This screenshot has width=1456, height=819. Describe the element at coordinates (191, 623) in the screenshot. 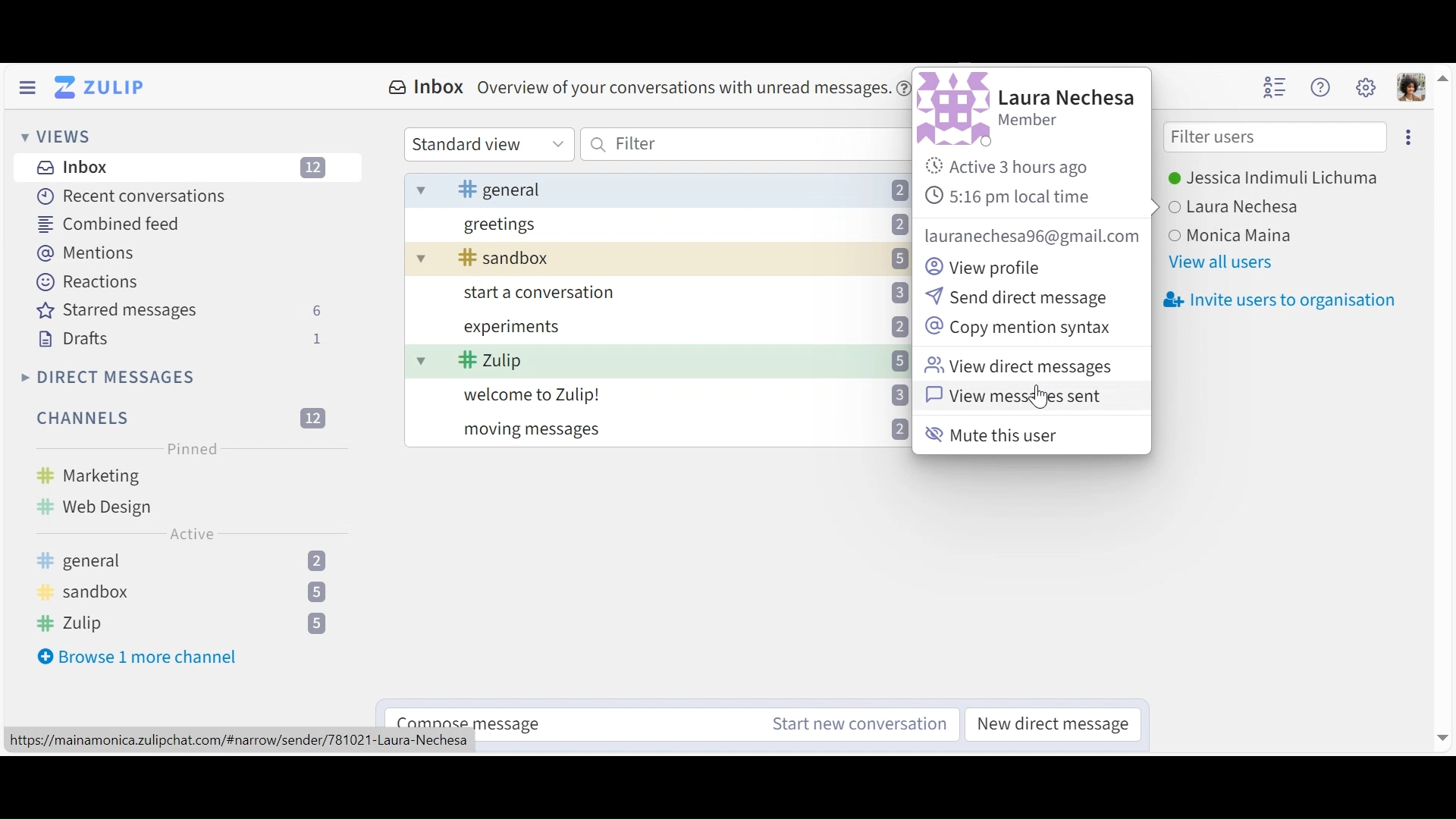

I see `zulip` at that location.